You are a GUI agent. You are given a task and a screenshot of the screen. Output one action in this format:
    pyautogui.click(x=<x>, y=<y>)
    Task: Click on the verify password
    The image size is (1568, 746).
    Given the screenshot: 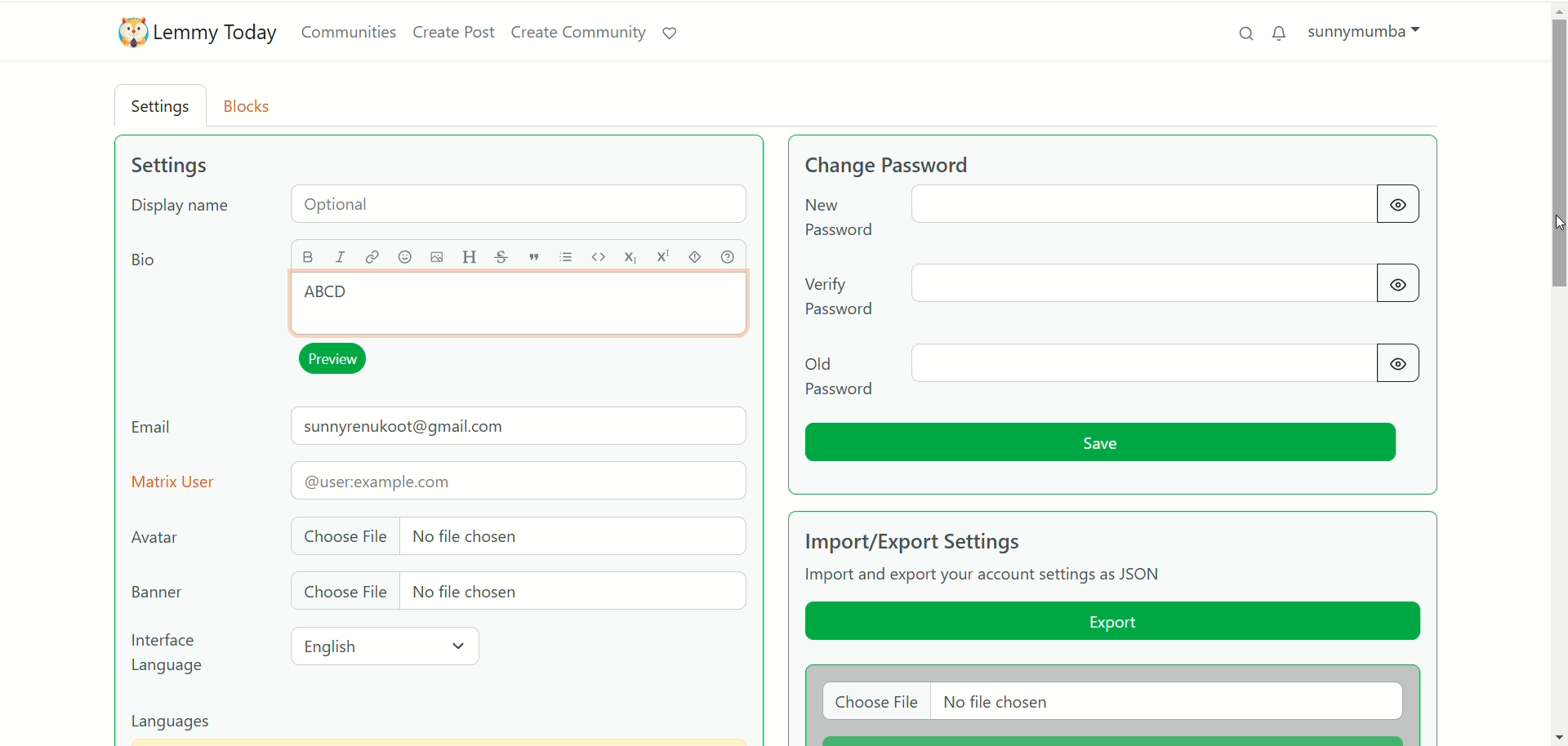 What is the action you would take?
    pyautogui.click(x=1116, y=288)
    